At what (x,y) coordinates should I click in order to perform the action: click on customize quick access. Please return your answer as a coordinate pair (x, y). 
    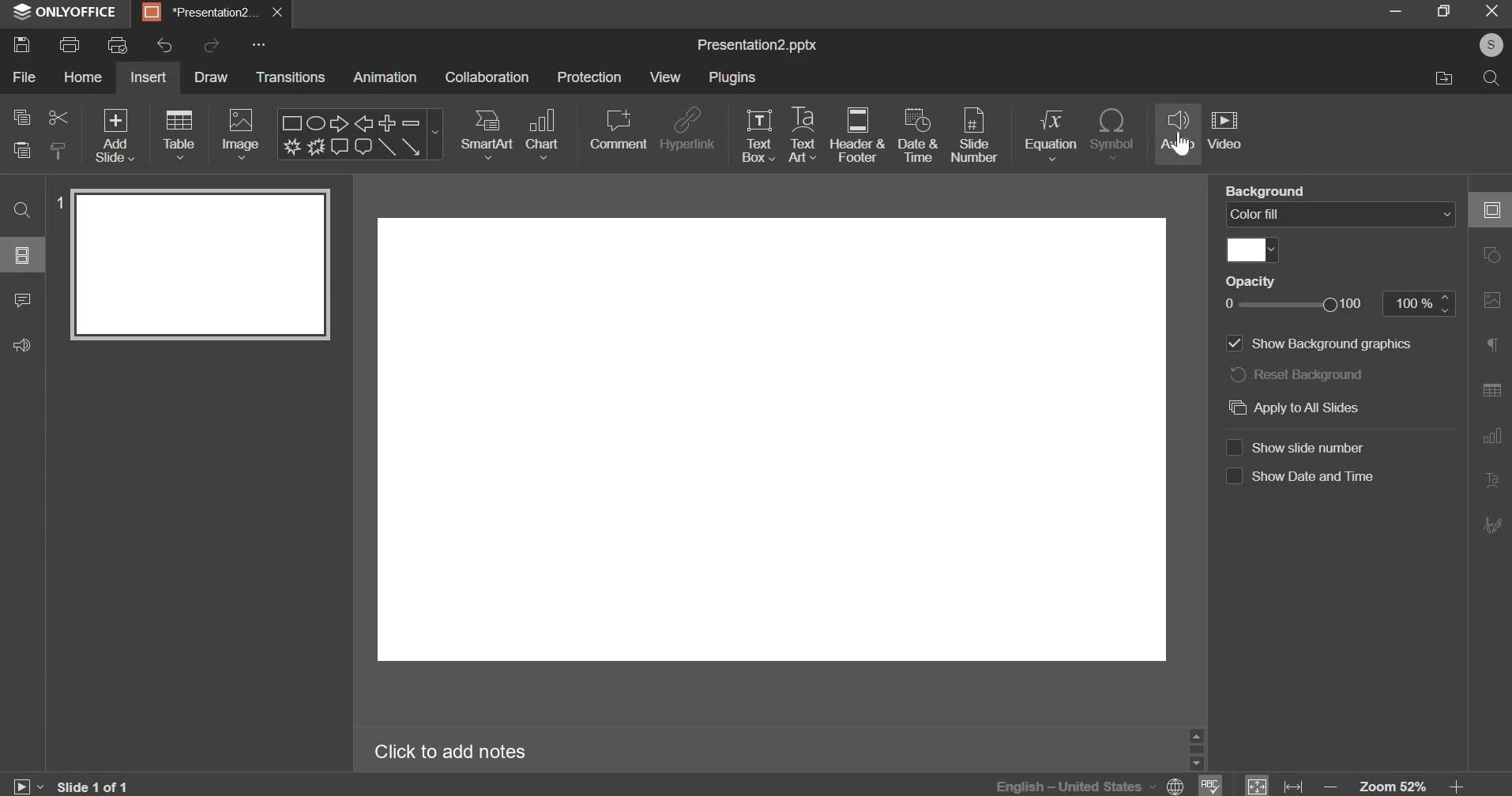
    Looking at the image, I should click on (257, 44).